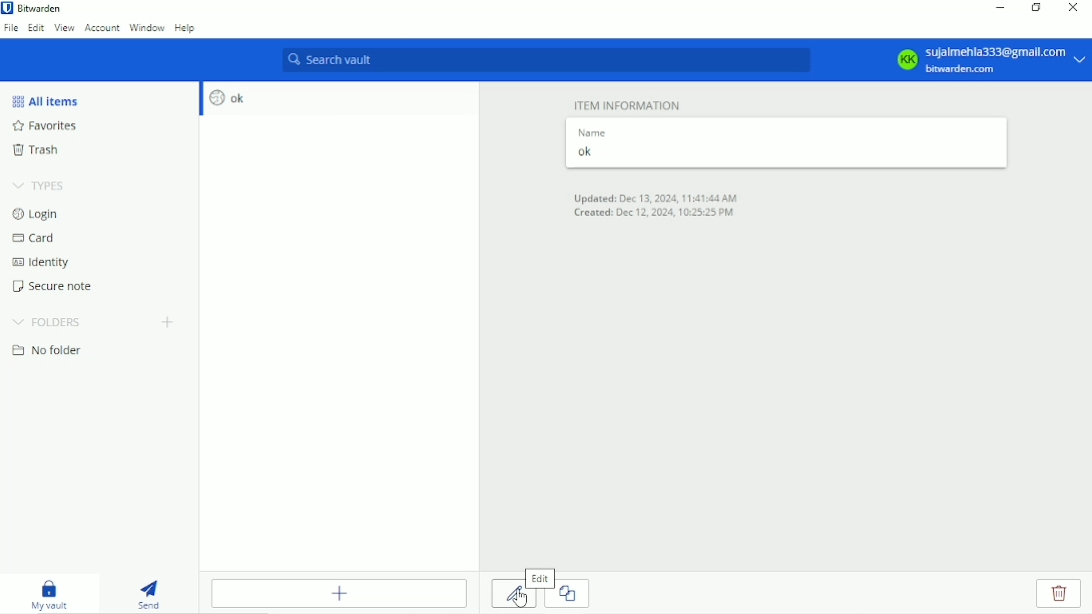 This screenshot has width=1092, height=614. Describe the element at coordinates (656, 214) in the screenshot. I see `Created: Dec 12, 2024, 10:25:25 PM` at that location.